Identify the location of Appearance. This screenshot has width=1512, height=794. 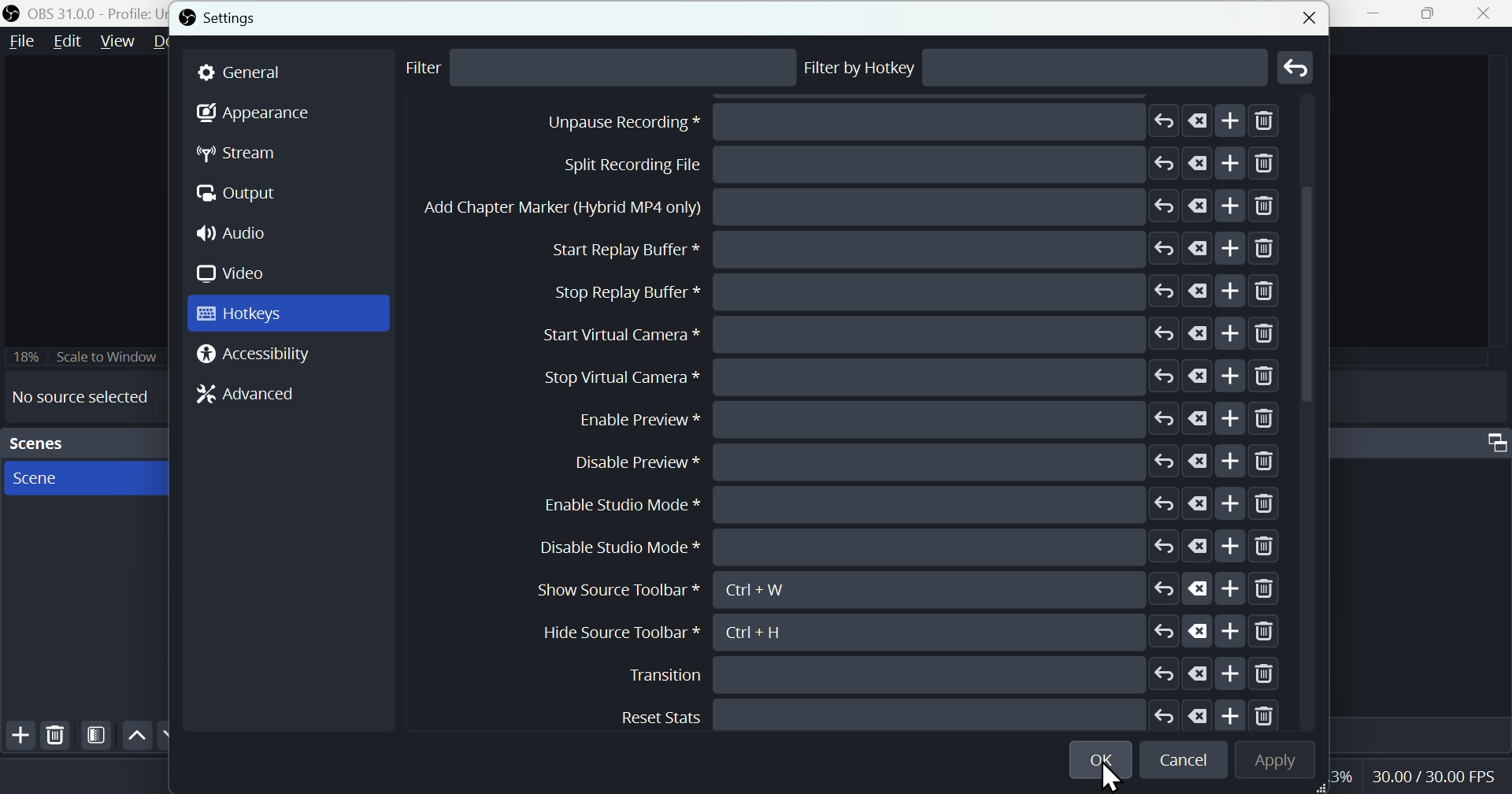
(253, 117).